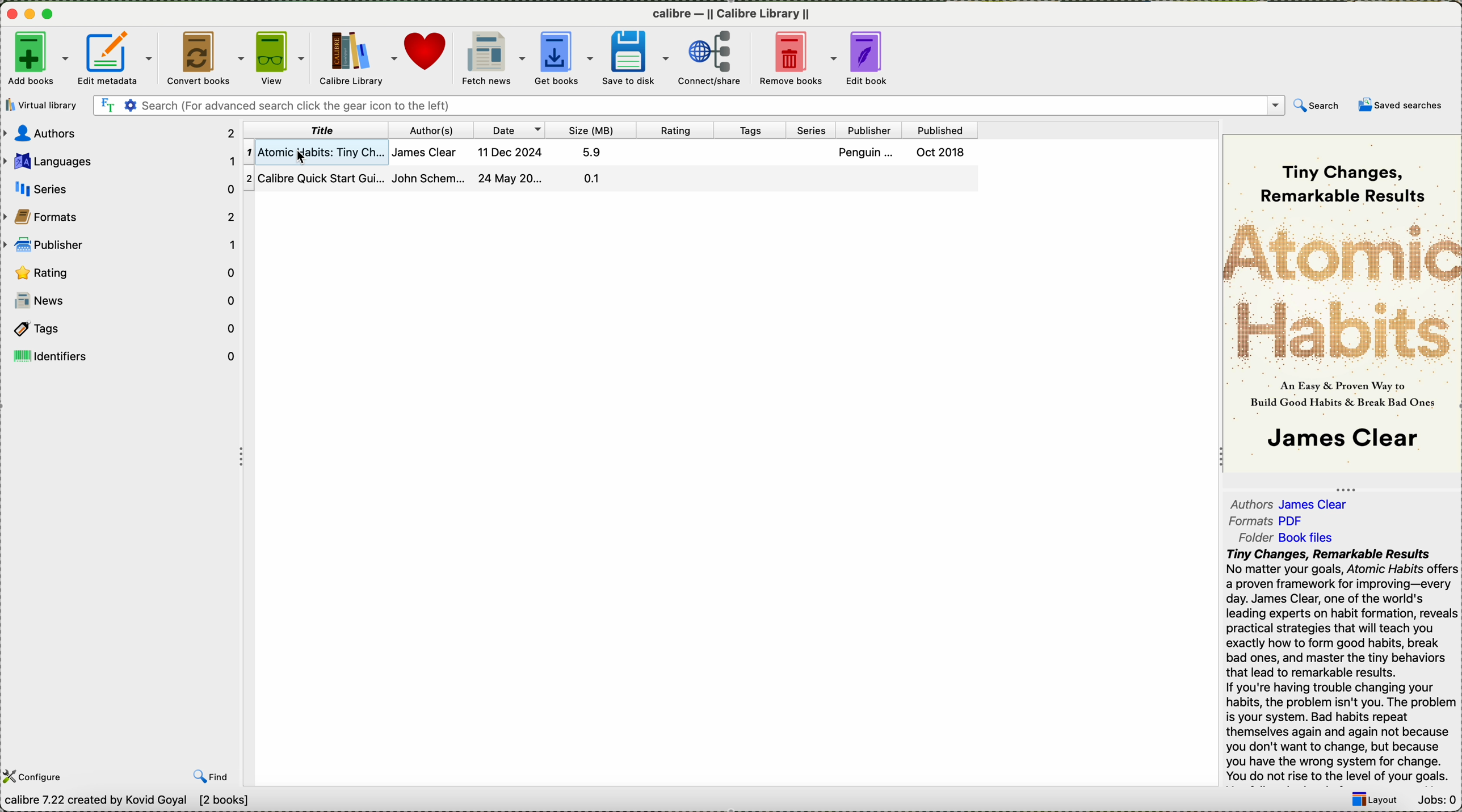 This screenshot has height=812, width=1462. Describe the element at coordinates (125, 301) in the screenshot. I see `news` at that location.